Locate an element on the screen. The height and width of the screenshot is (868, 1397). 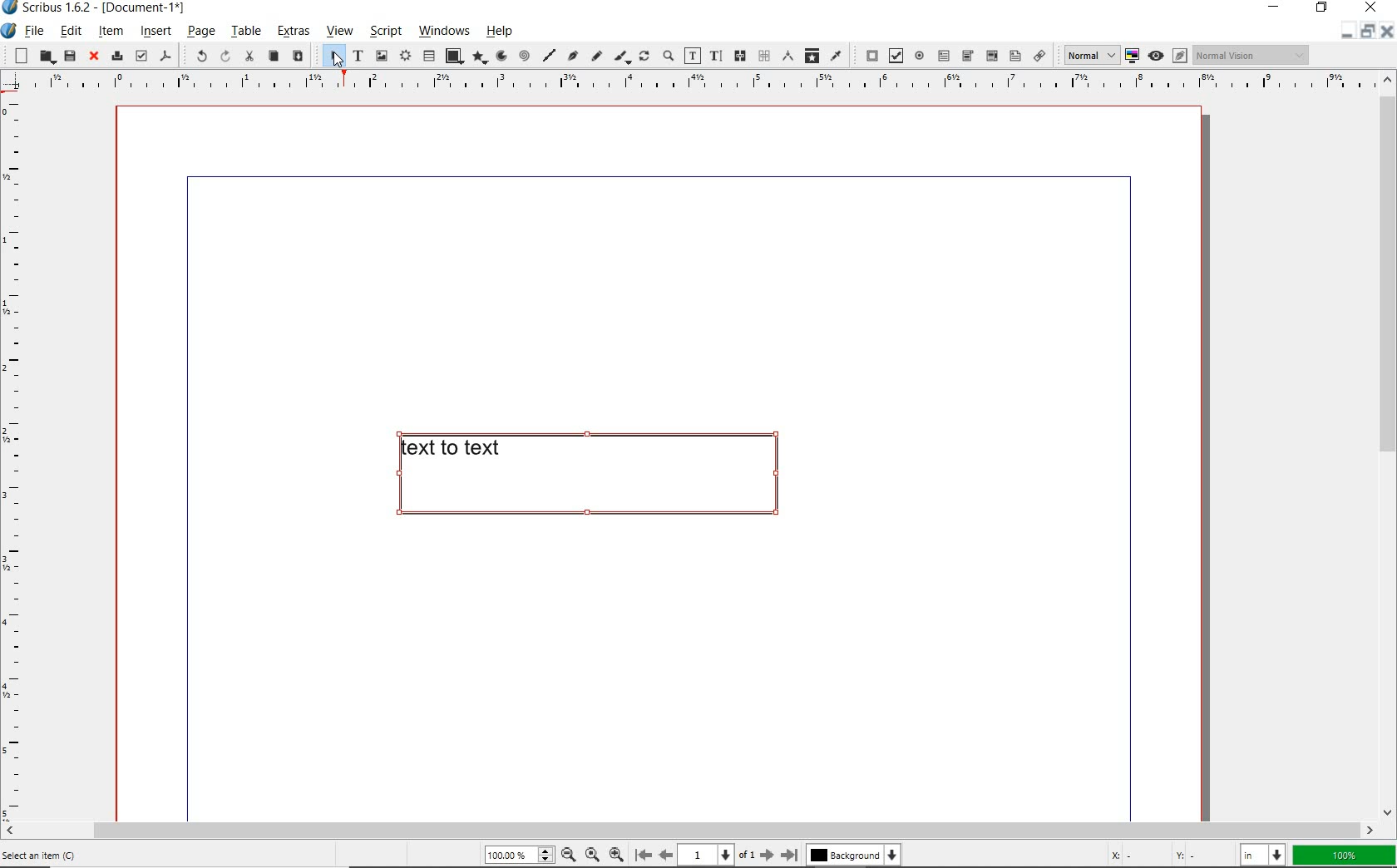
Zoom in is located at coordinates (616, 853).